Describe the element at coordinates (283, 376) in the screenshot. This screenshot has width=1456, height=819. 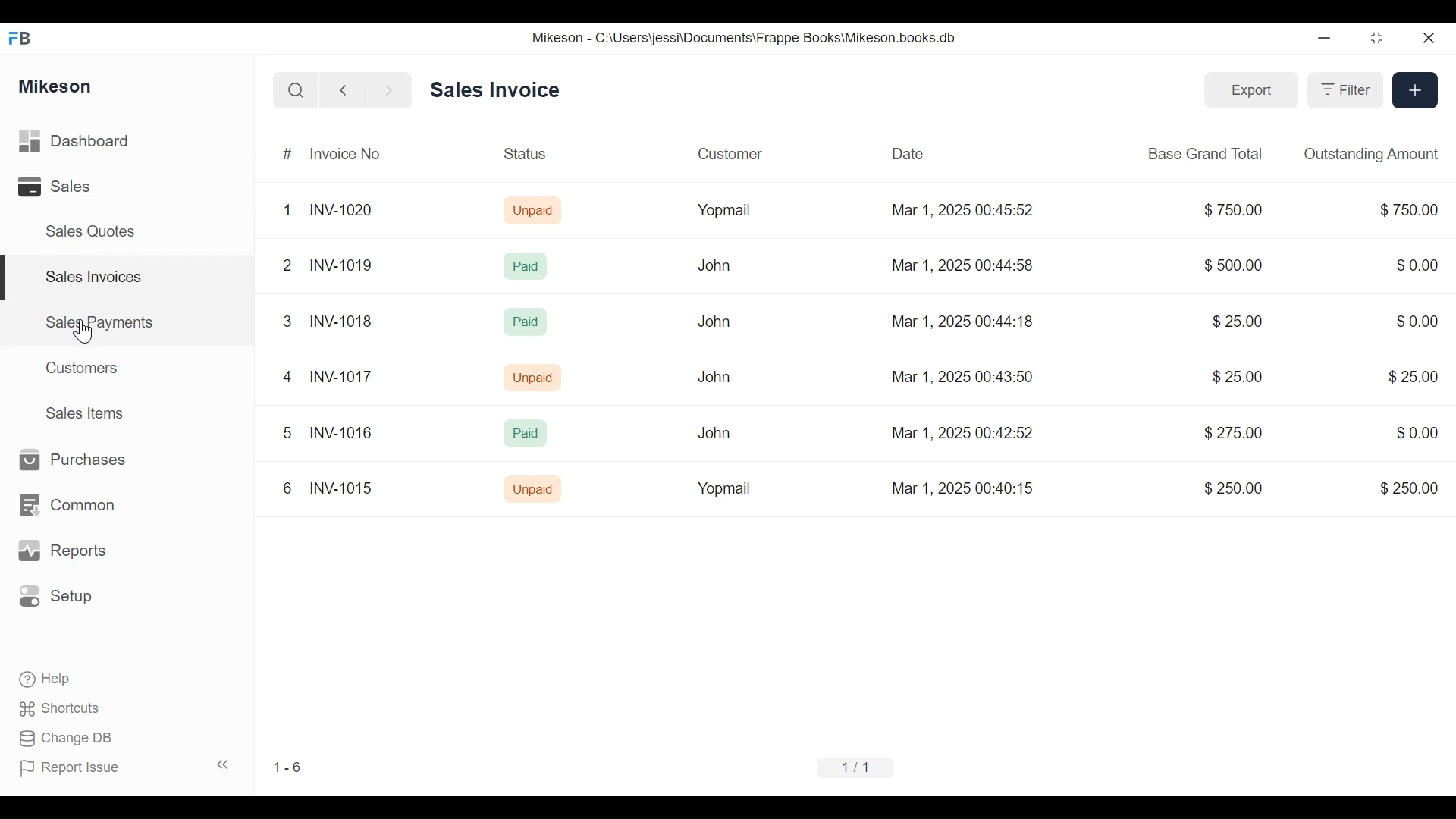
I see `4` at that location.